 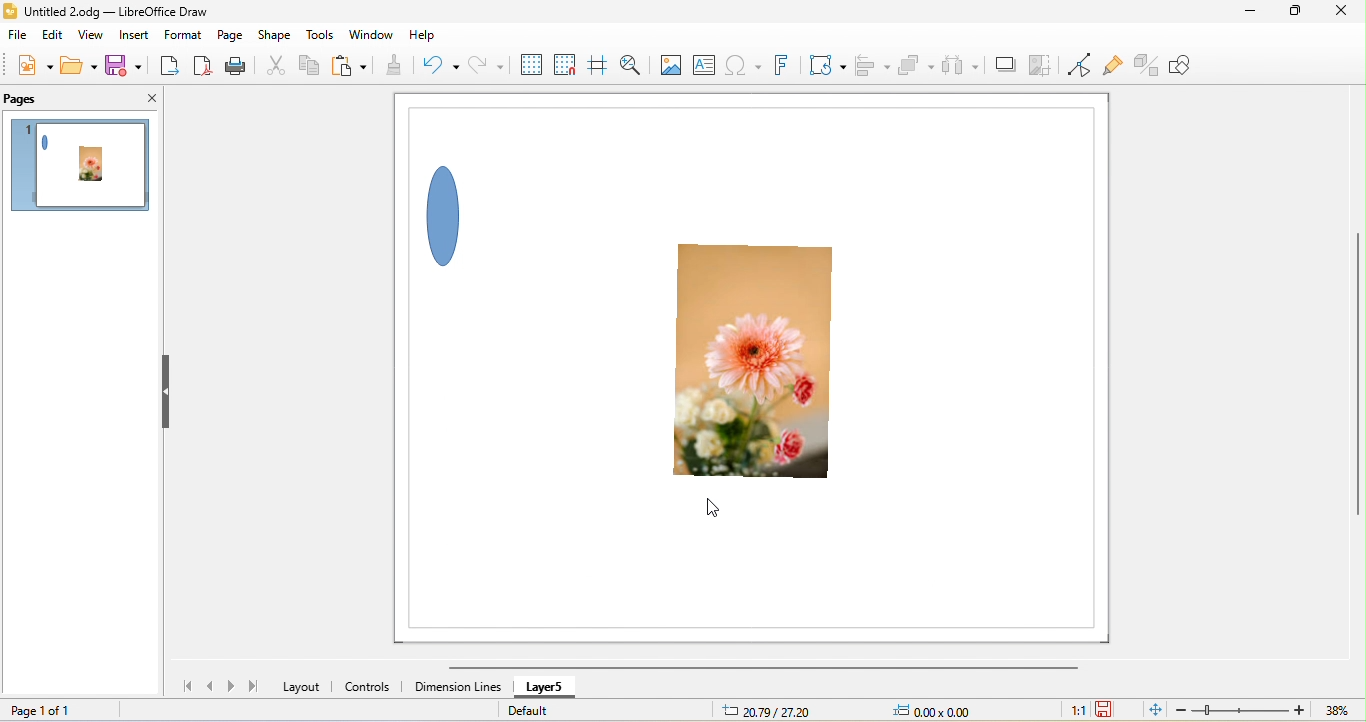 I want to click on Unlocked layer, so click(x=543, y=687).